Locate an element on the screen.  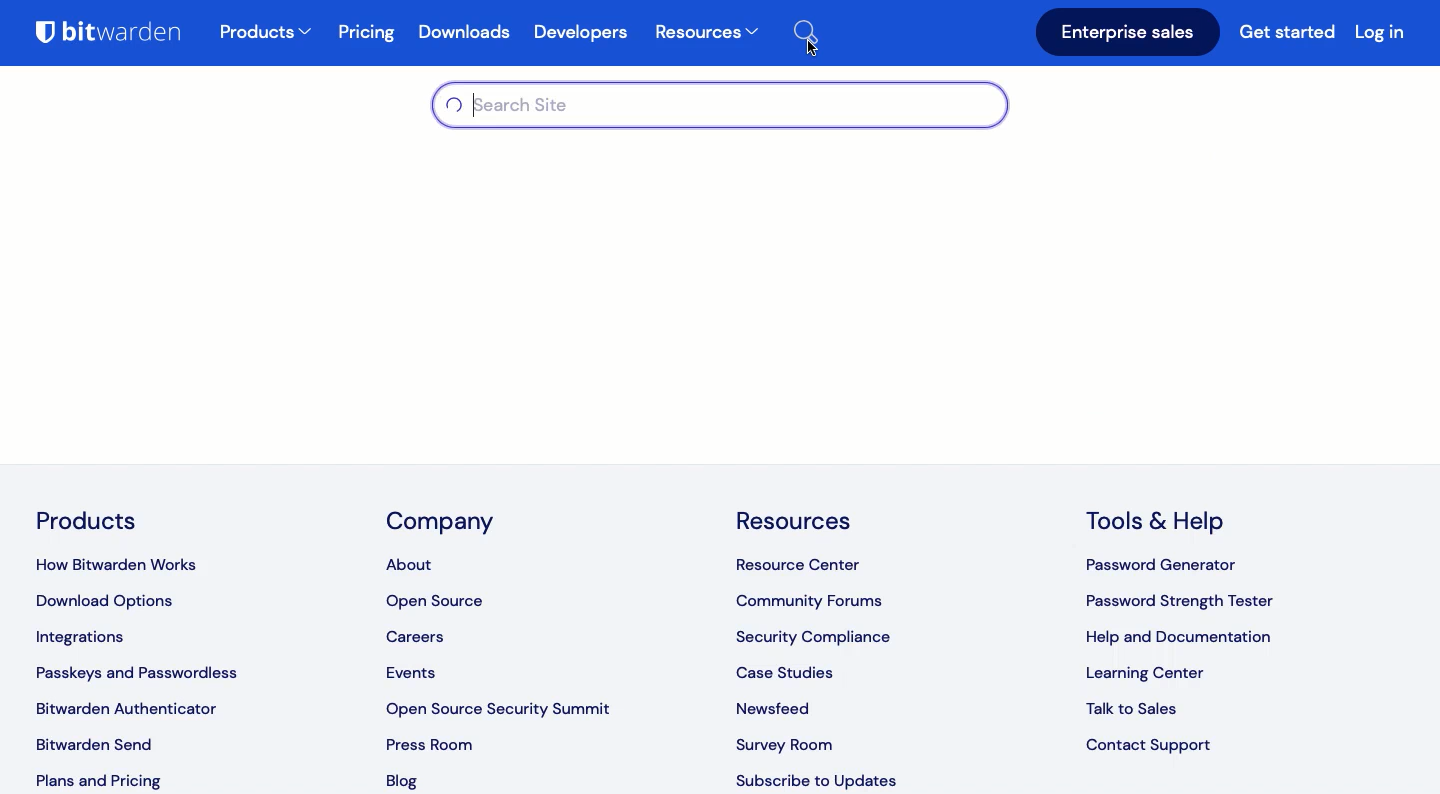
talk to sales is located at coordinates (1141, 709).